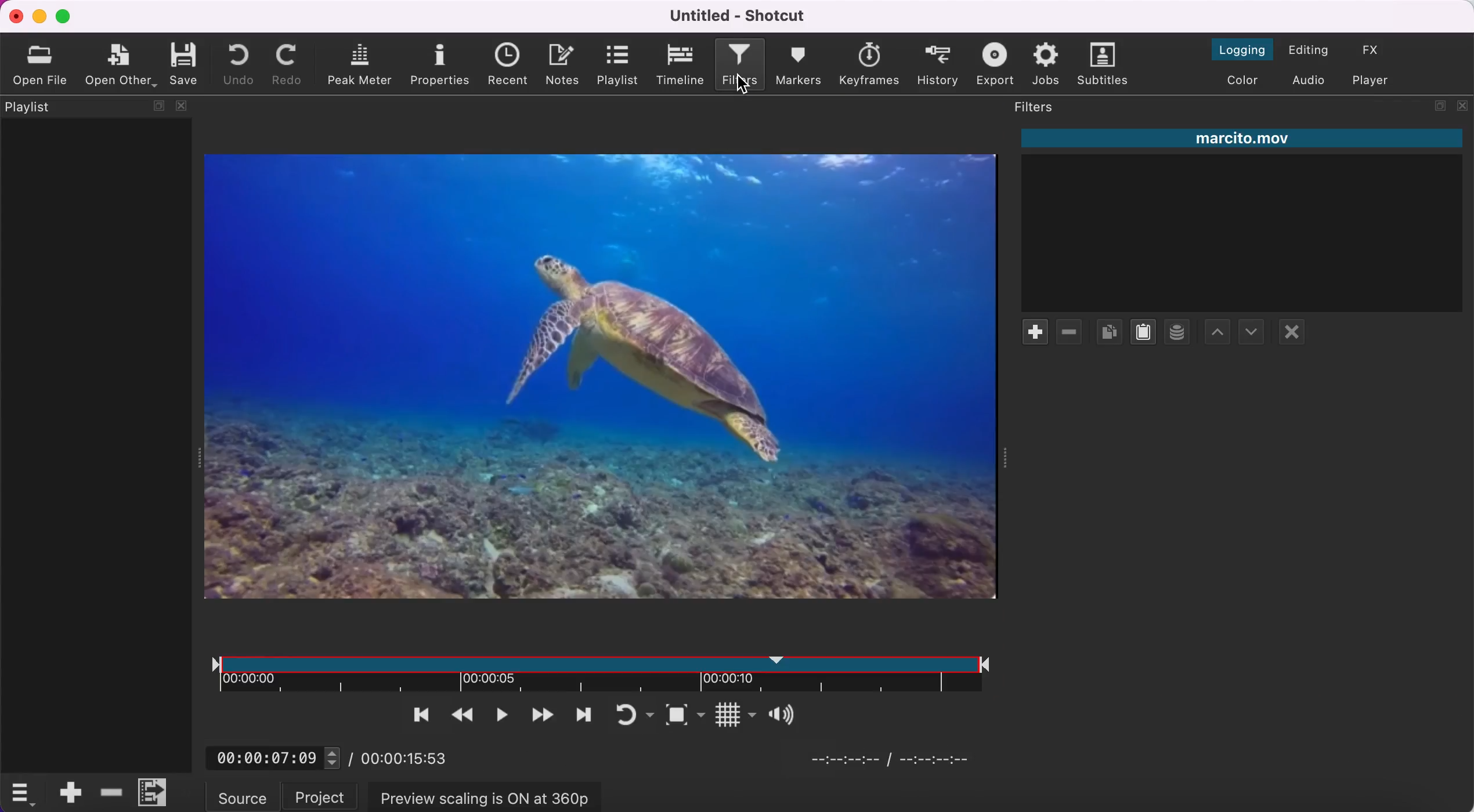 The image size is (1474, 812). Describe the element at coordinates (460, 715) in the screenshot. I see `play quickly backwards` at that location.